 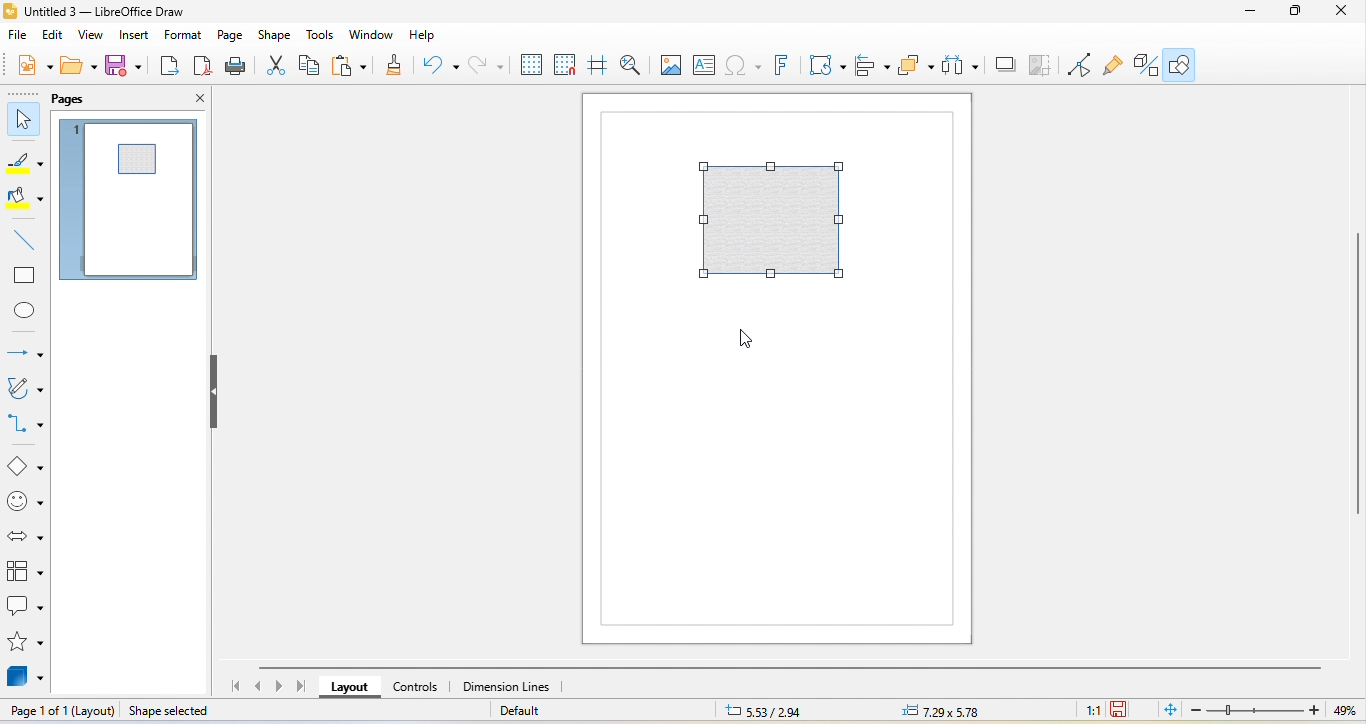 I want to click on 0.00x0.00, so click(x=950, y=711).